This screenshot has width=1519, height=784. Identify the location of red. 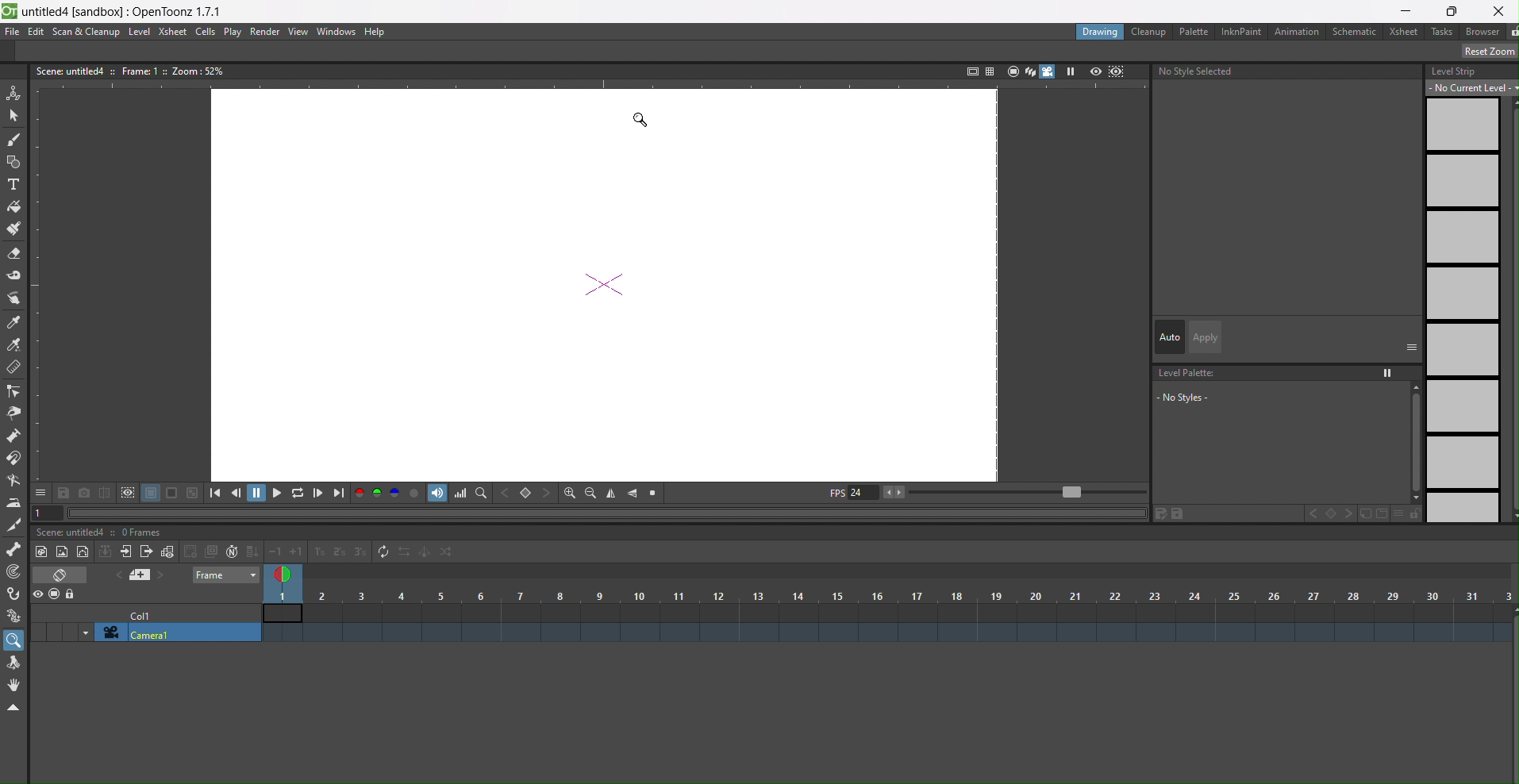
(360, 494).